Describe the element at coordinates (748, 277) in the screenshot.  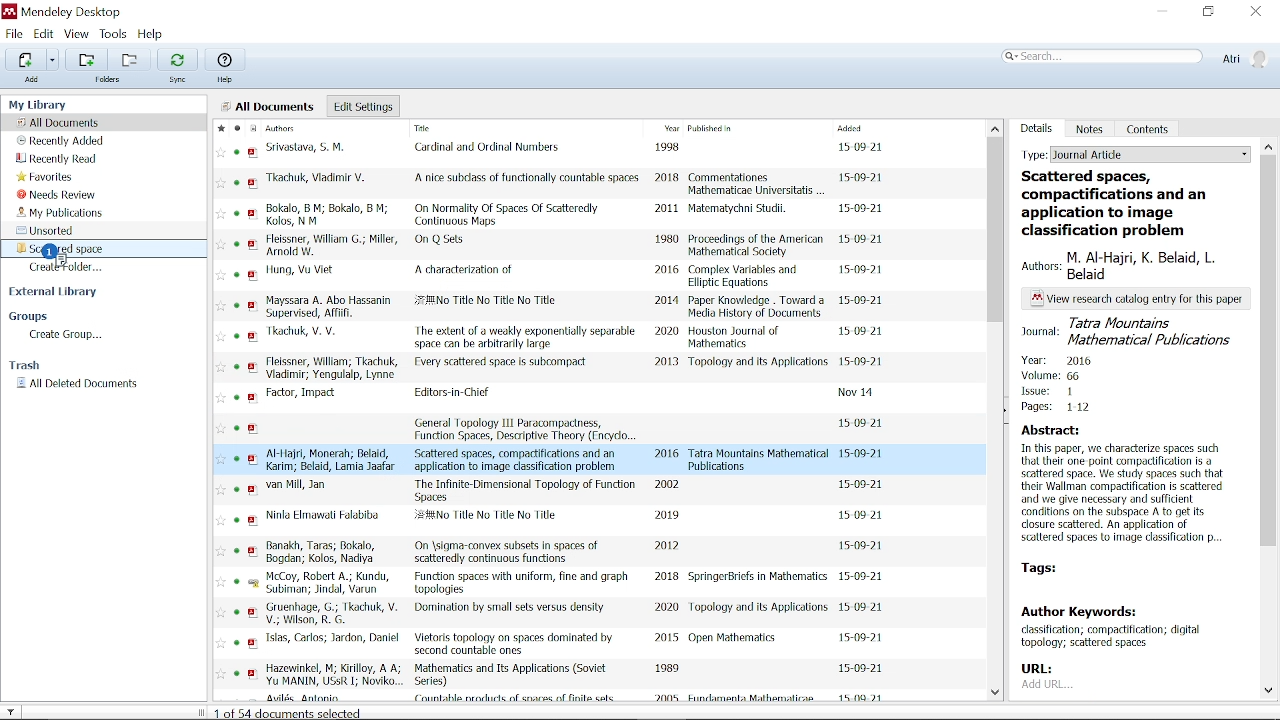
I see `Complex Variables and
Elliptic Equations.` at that location.